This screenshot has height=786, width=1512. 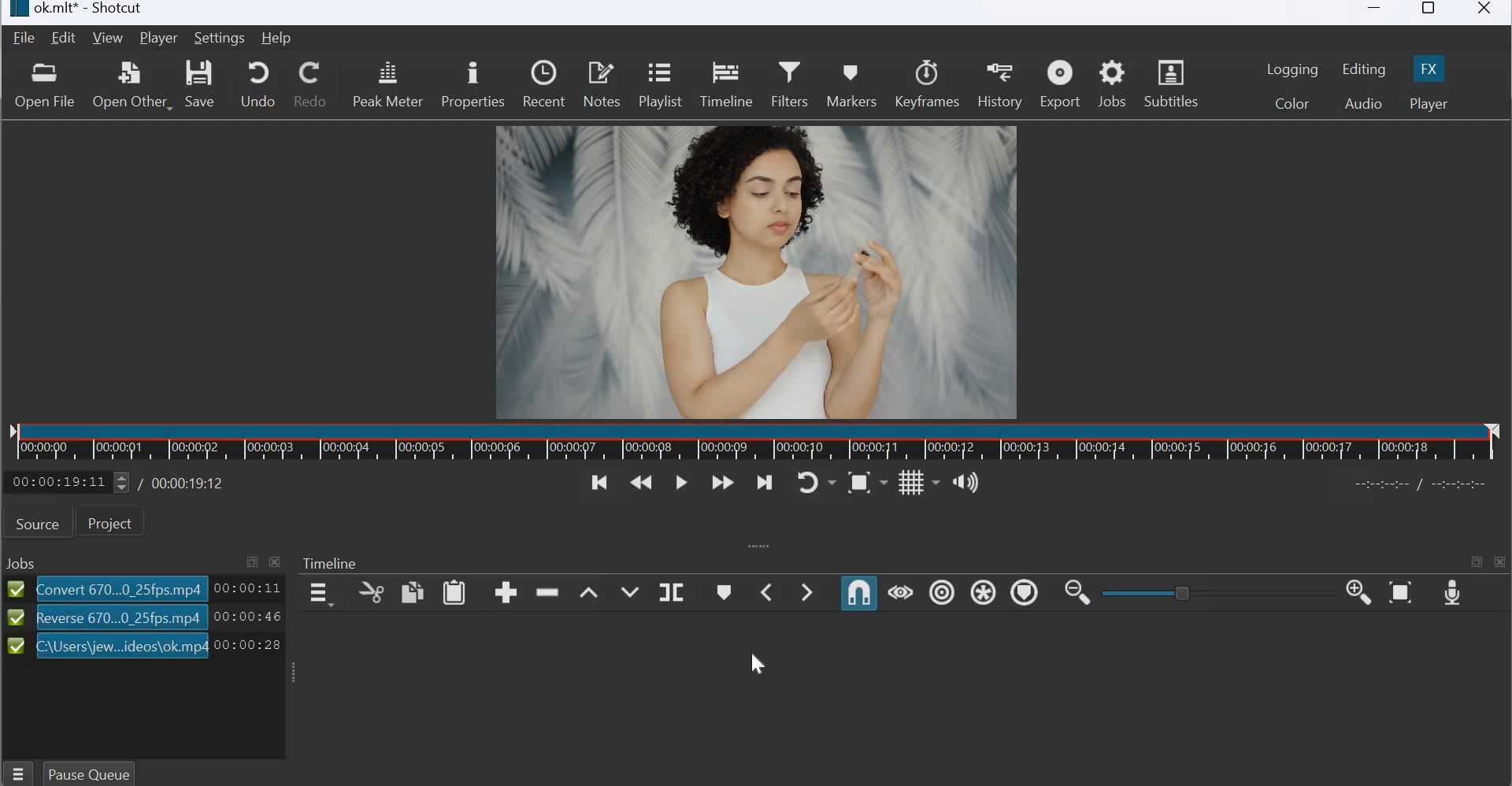 I want to click on Ripple, so click(x=938, y=592).